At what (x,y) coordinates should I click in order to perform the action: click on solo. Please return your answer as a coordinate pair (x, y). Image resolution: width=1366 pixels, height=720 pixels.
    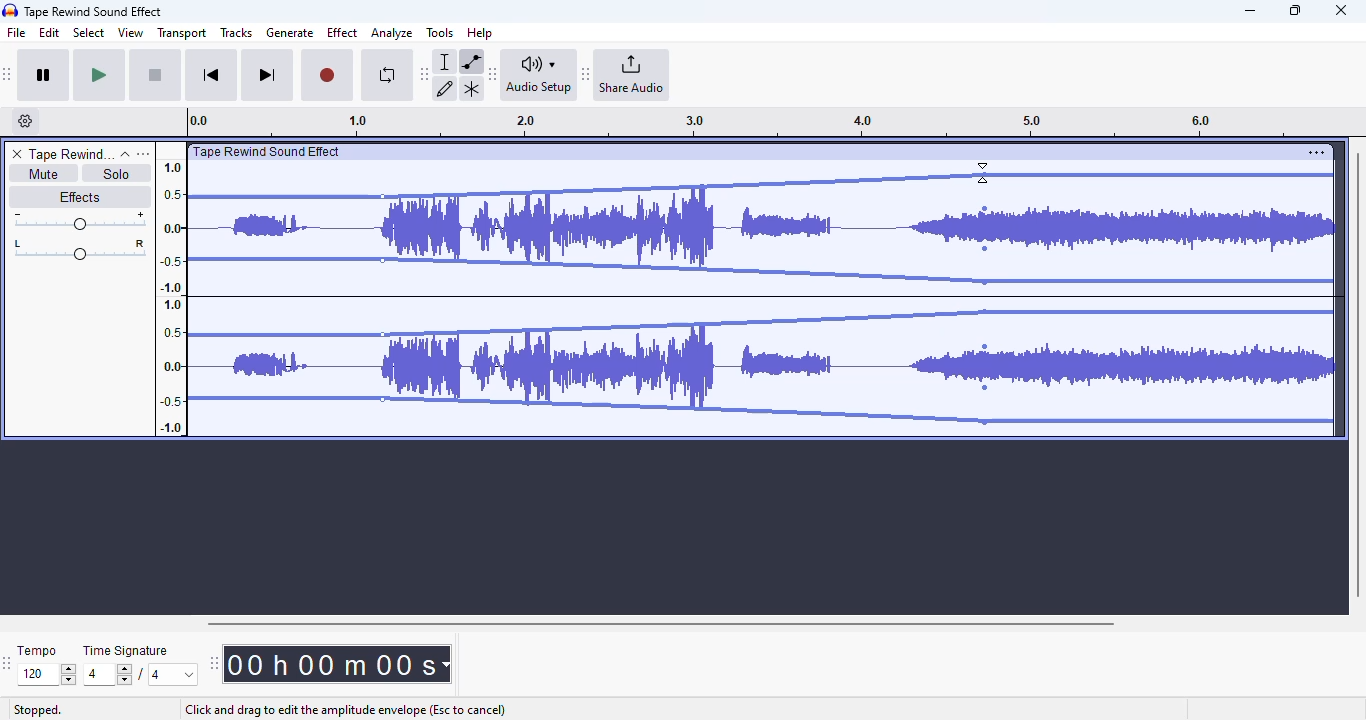
    Looking at the image, I should click on (117, 173).